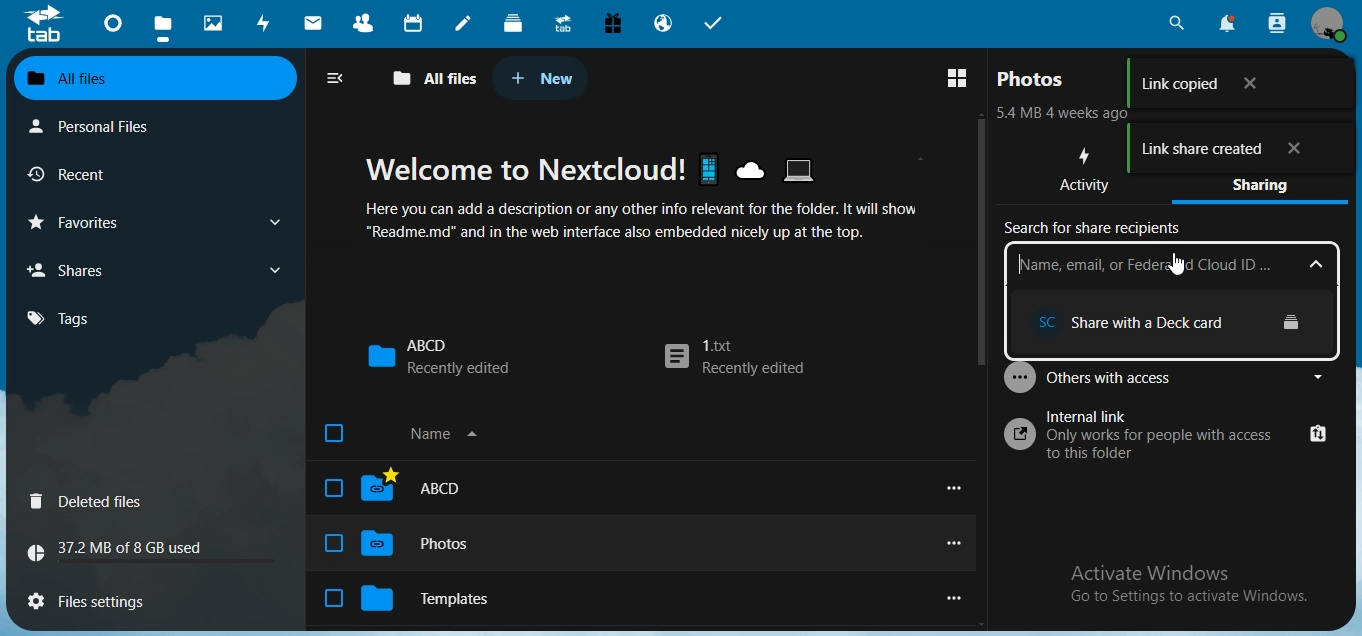 The width and height of the screenshot is (1362, 636). What do you see at coordinates (334, 597) in the screenshot?
I see `check box` at bounding box center [334, 597].